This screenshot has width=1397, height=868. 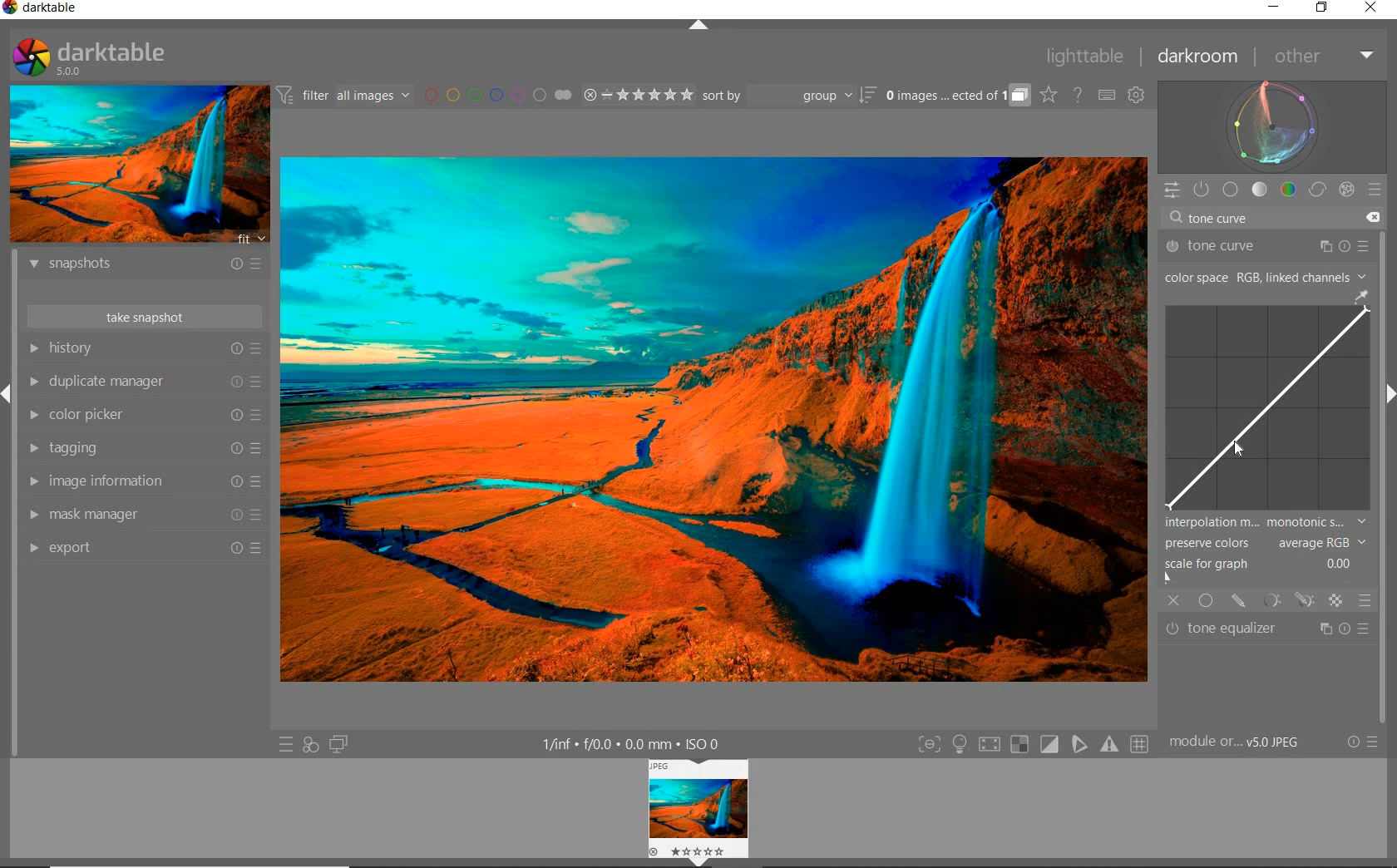 I want to click on SHOW ONLY ACTIVE MODULES, so click(x=1202, y=190).